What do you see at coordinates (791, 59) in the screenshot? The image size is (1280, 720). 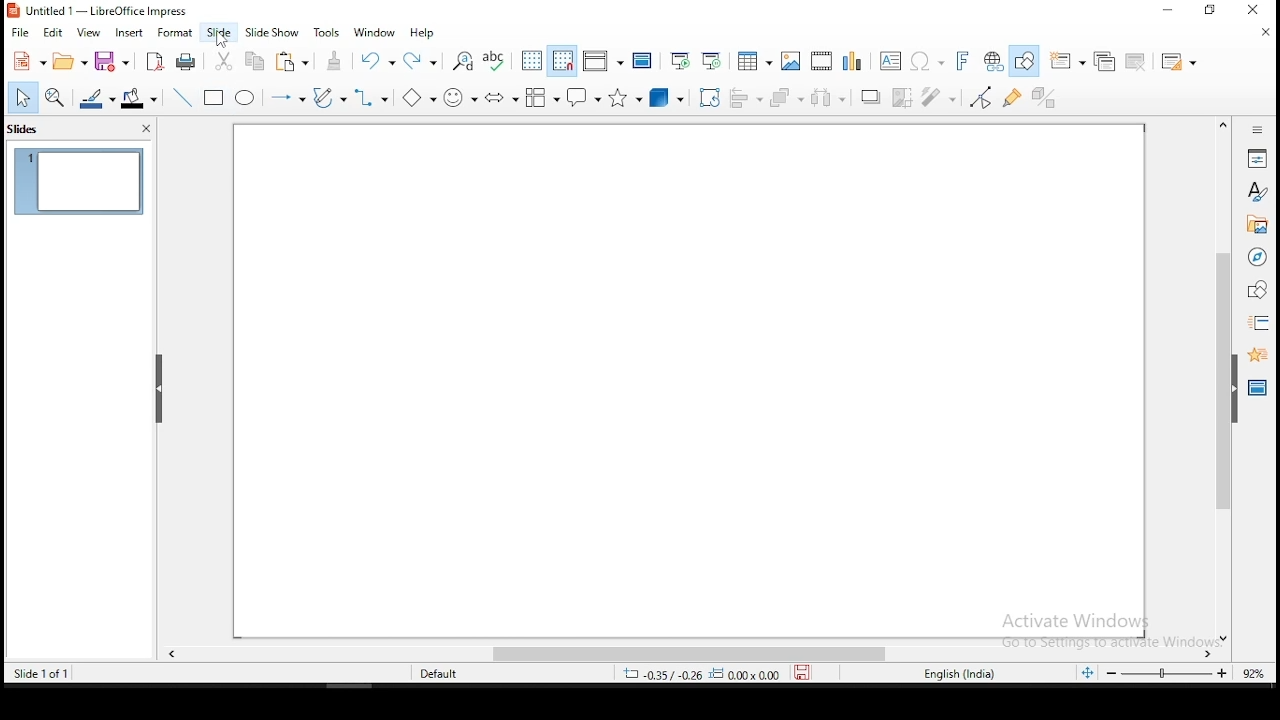 I see `images` at bounding box center [791, 59].